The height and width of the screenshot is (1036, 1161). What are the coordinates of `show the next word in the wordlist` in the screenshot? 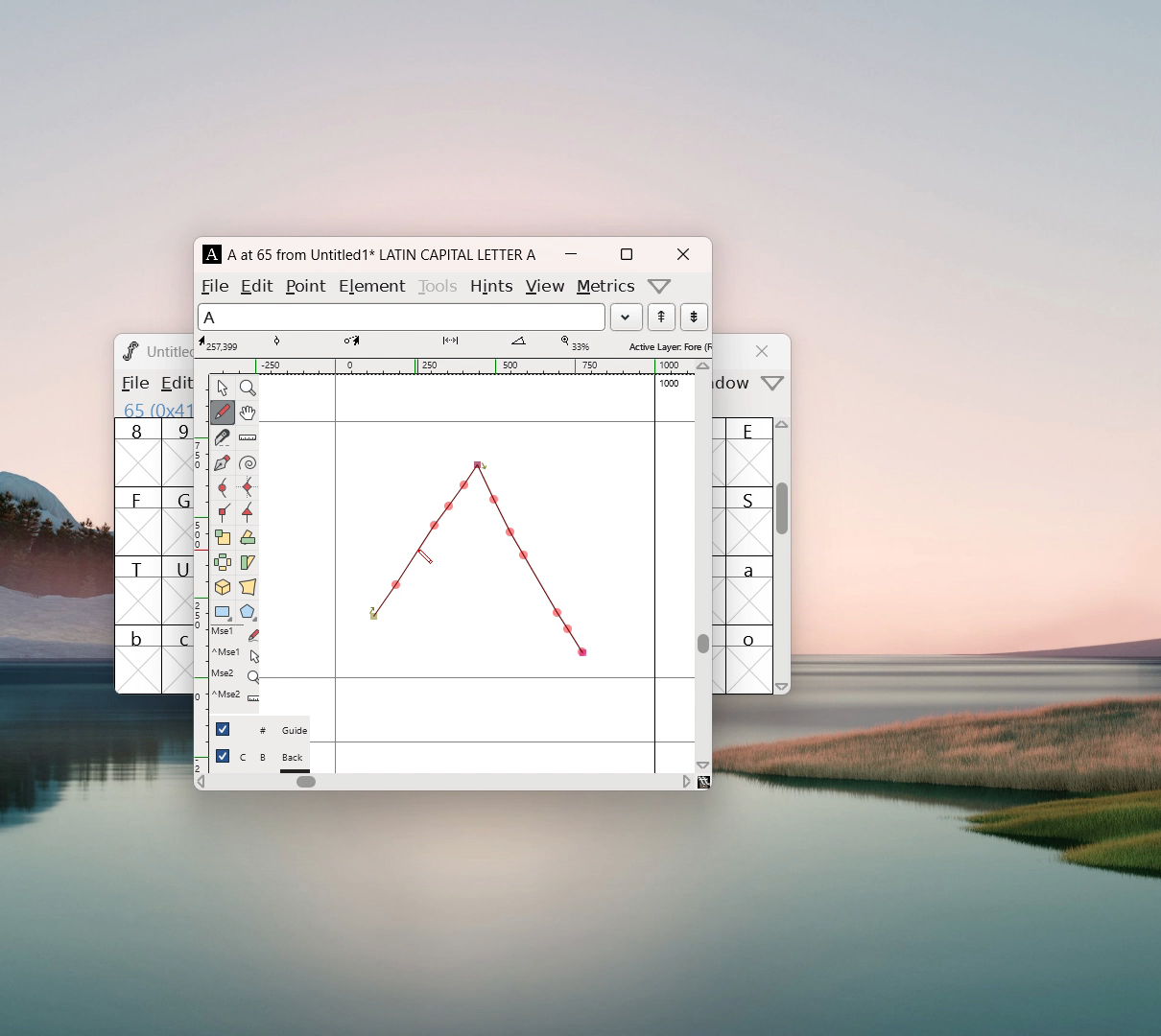 It's located at (661, 318).